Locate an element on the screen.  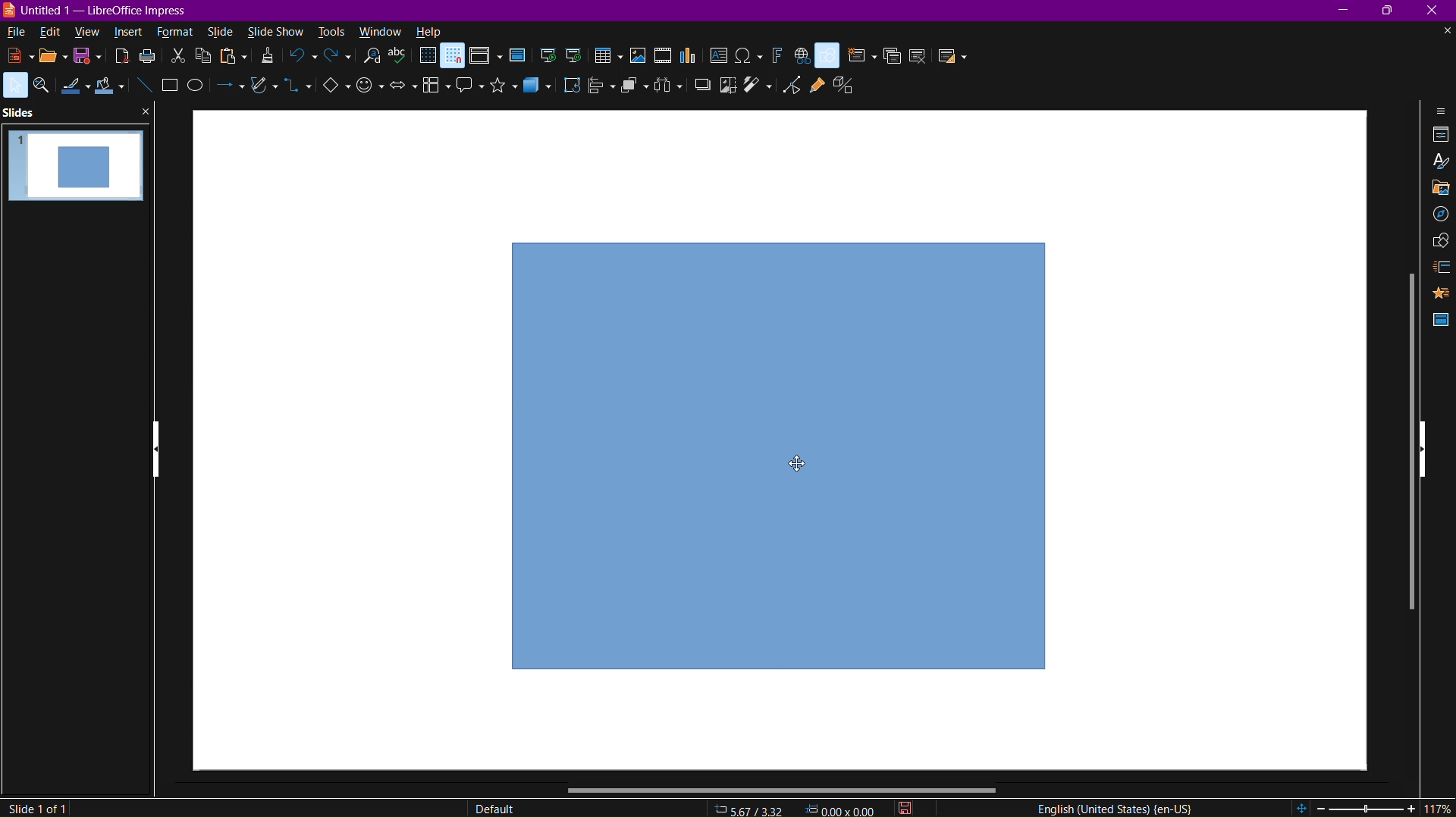
edit is located at coordinates (49, 32).